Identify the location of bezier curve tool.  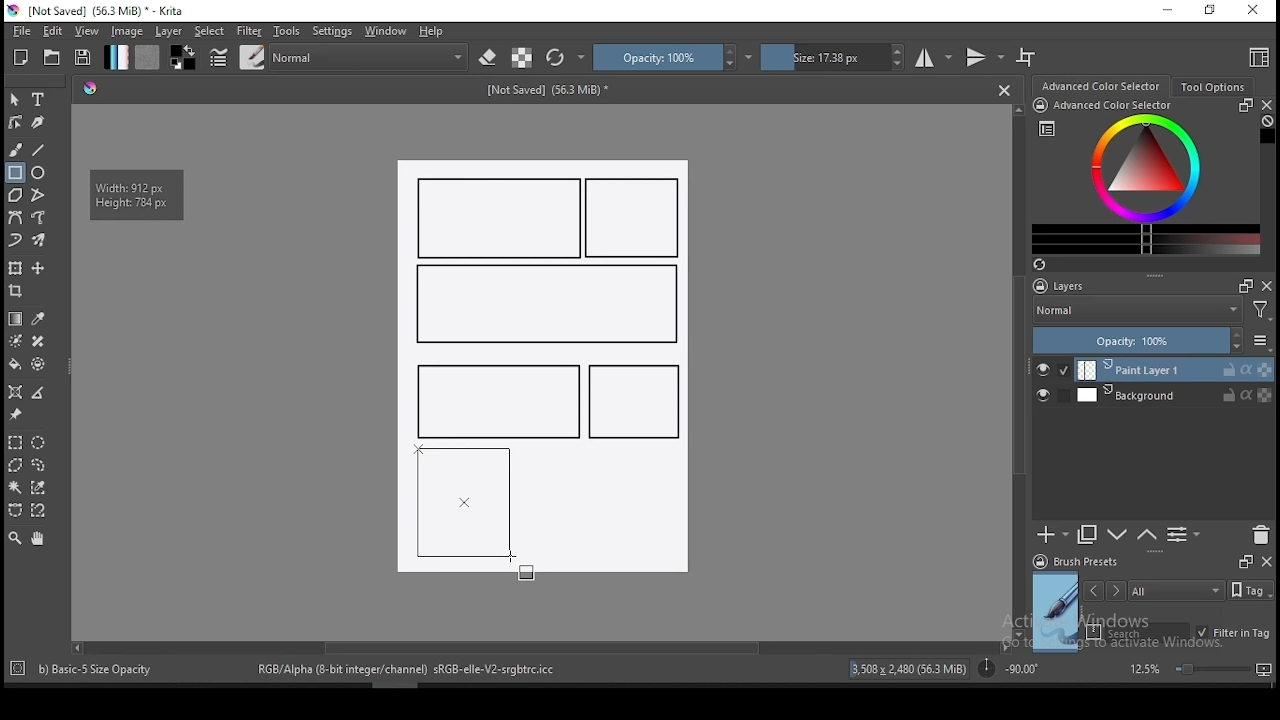
(14, 219).